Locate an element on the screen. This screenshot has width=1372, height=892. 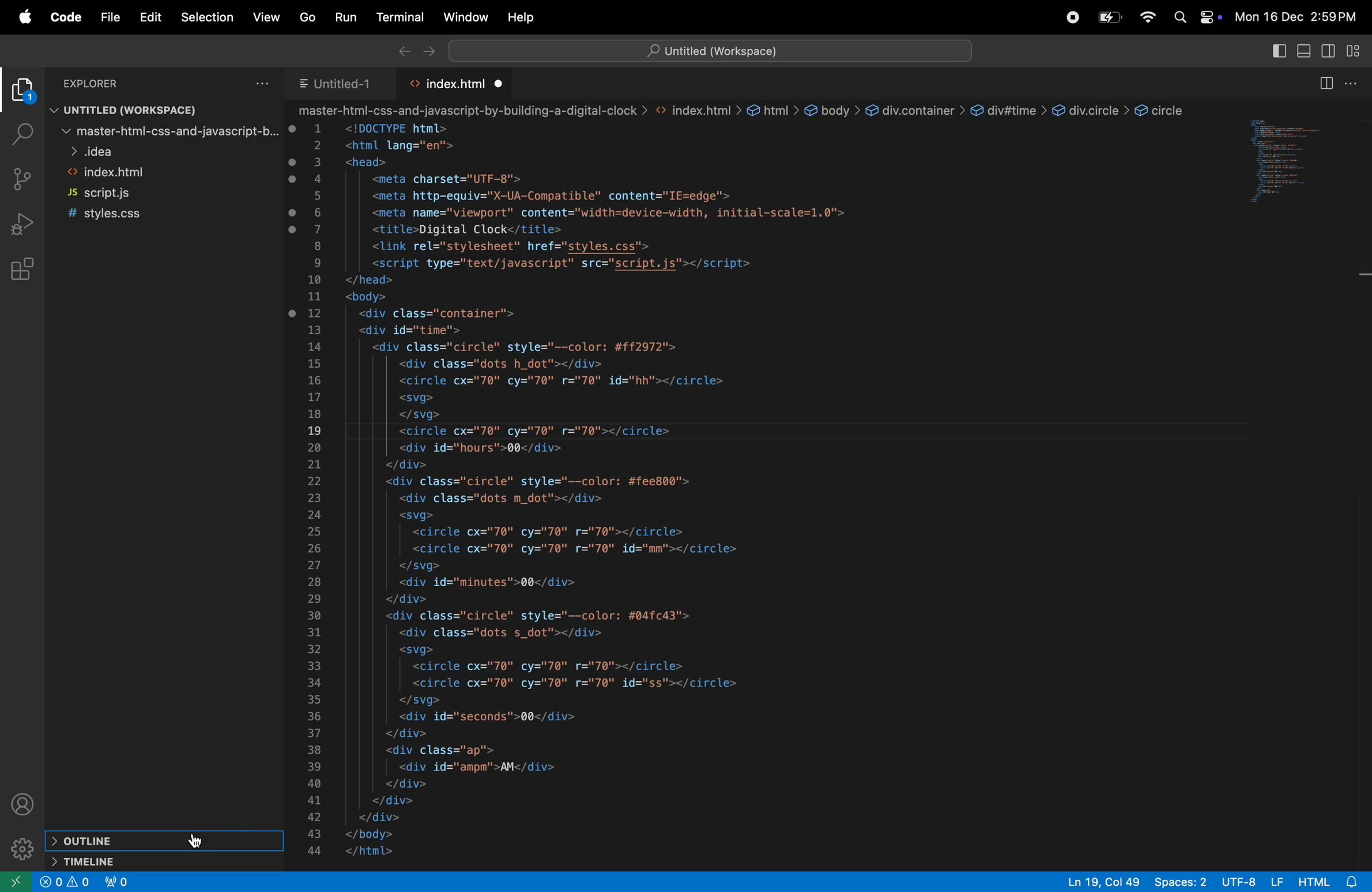
window is located at coordinates (462, 17).